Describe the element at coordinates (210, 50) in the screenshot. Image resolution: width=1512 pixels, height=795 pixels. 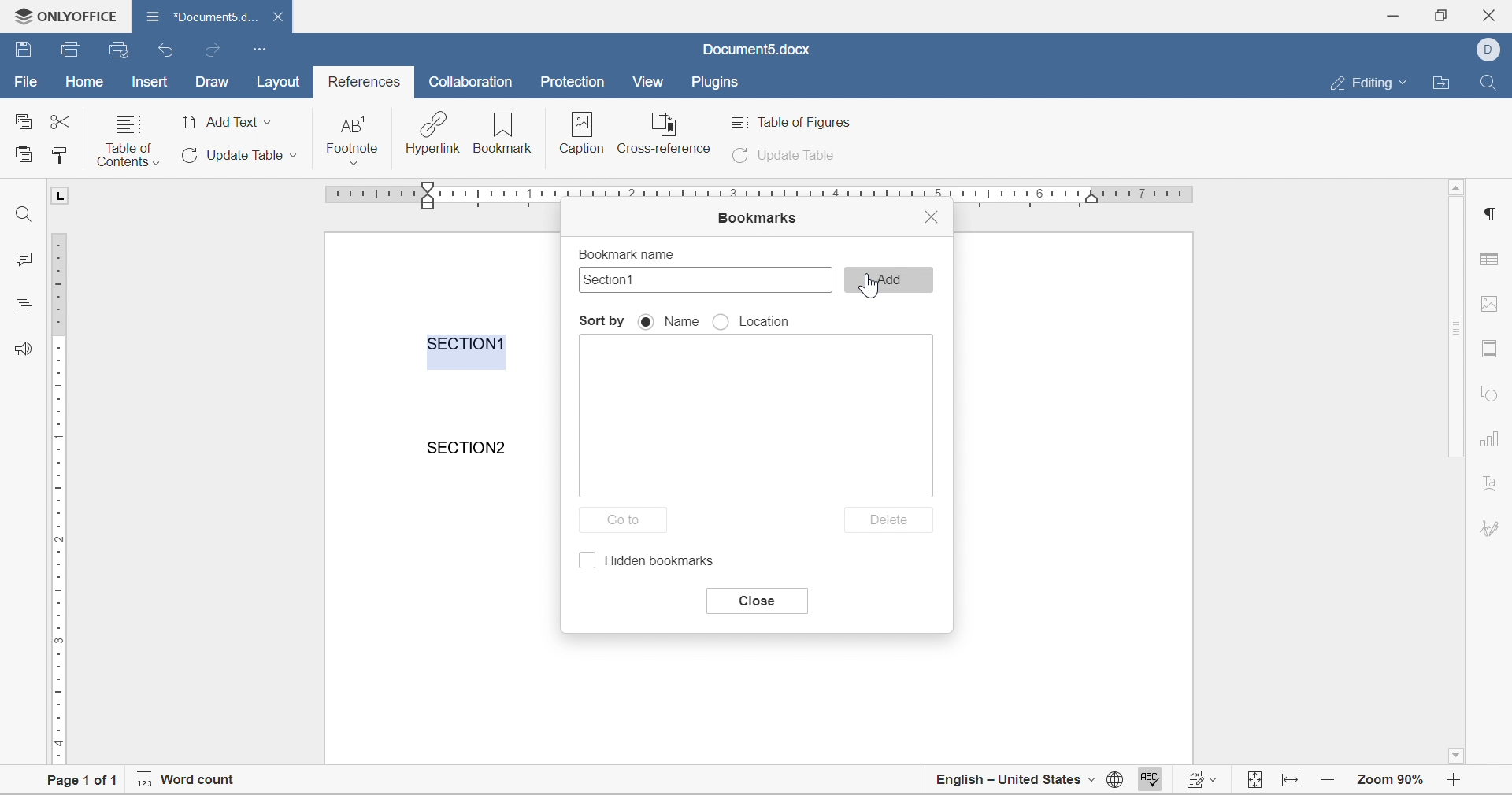
I see `redo` at that location.